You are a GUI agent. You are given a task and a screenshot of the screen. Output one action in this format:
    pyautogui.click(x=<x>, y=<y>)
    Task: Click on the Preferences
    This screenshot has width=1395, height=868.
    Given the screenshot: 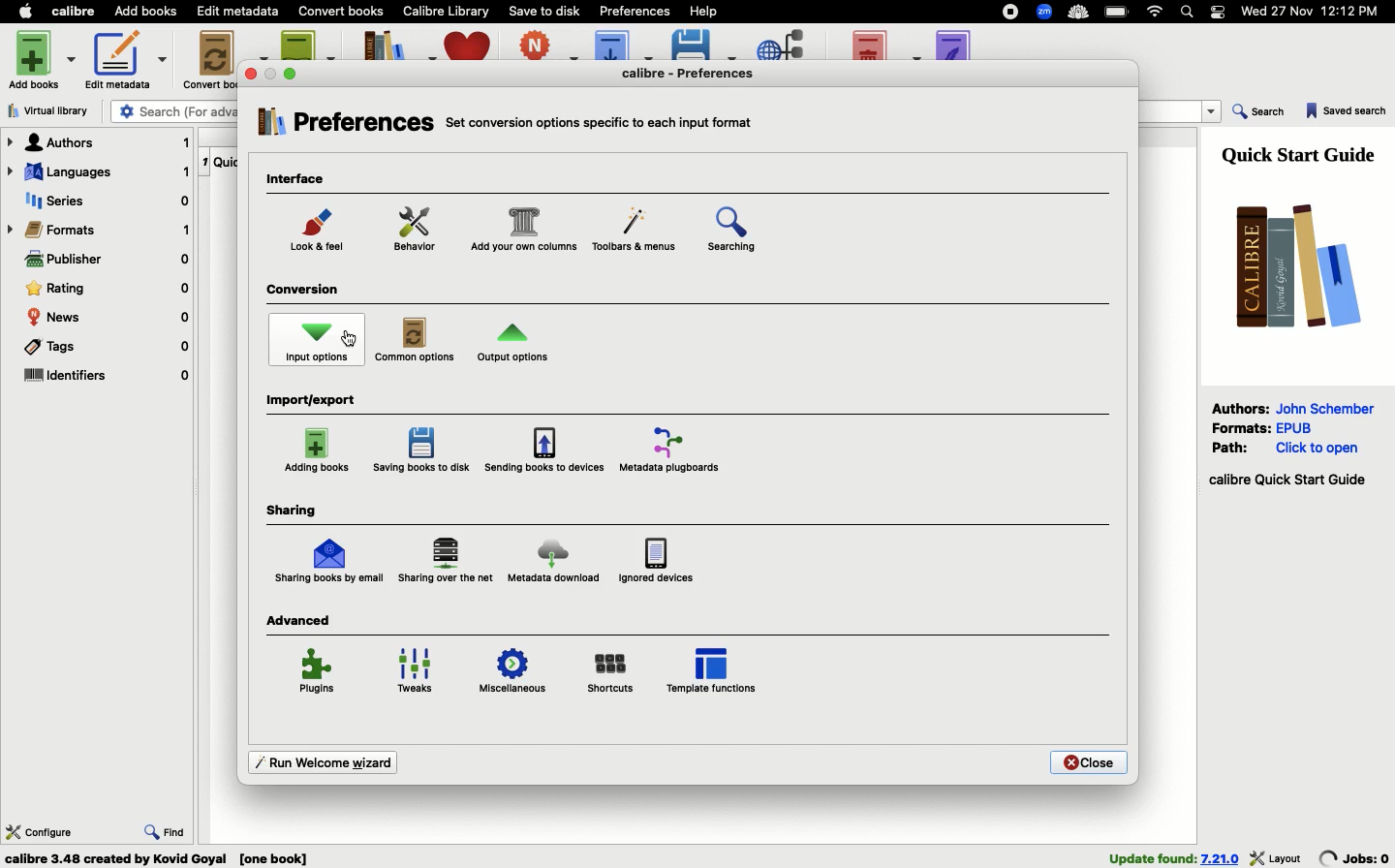 What is the action you would take?
    pyautogui.click(x=701, y=73)
    